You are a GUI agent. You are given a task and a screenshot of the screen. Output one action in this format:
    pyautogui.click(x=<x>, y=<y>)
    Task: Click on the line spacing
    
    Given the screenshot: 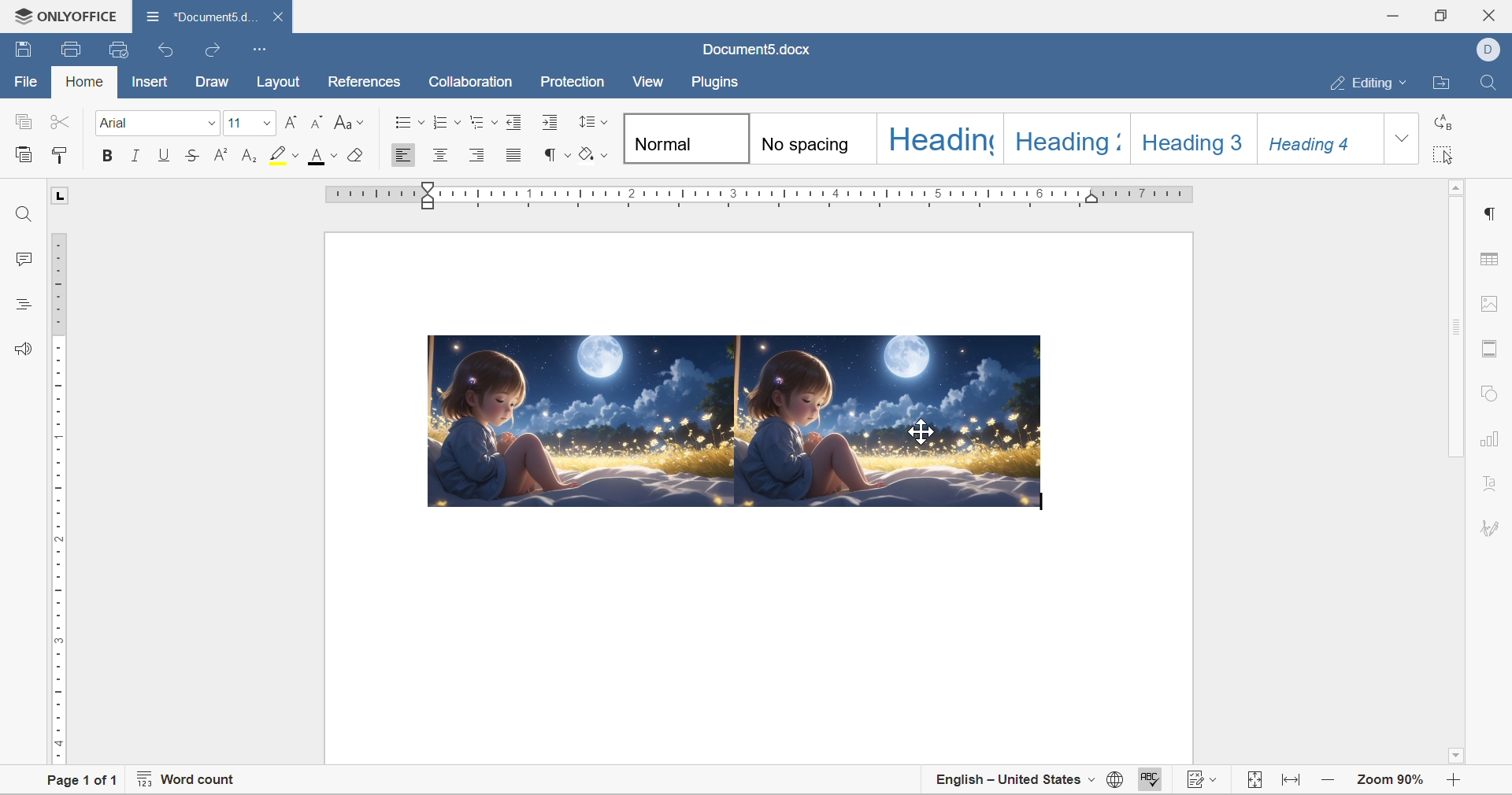 What is the action you would take?
    pyautogui.click(x=593, y=121)
    